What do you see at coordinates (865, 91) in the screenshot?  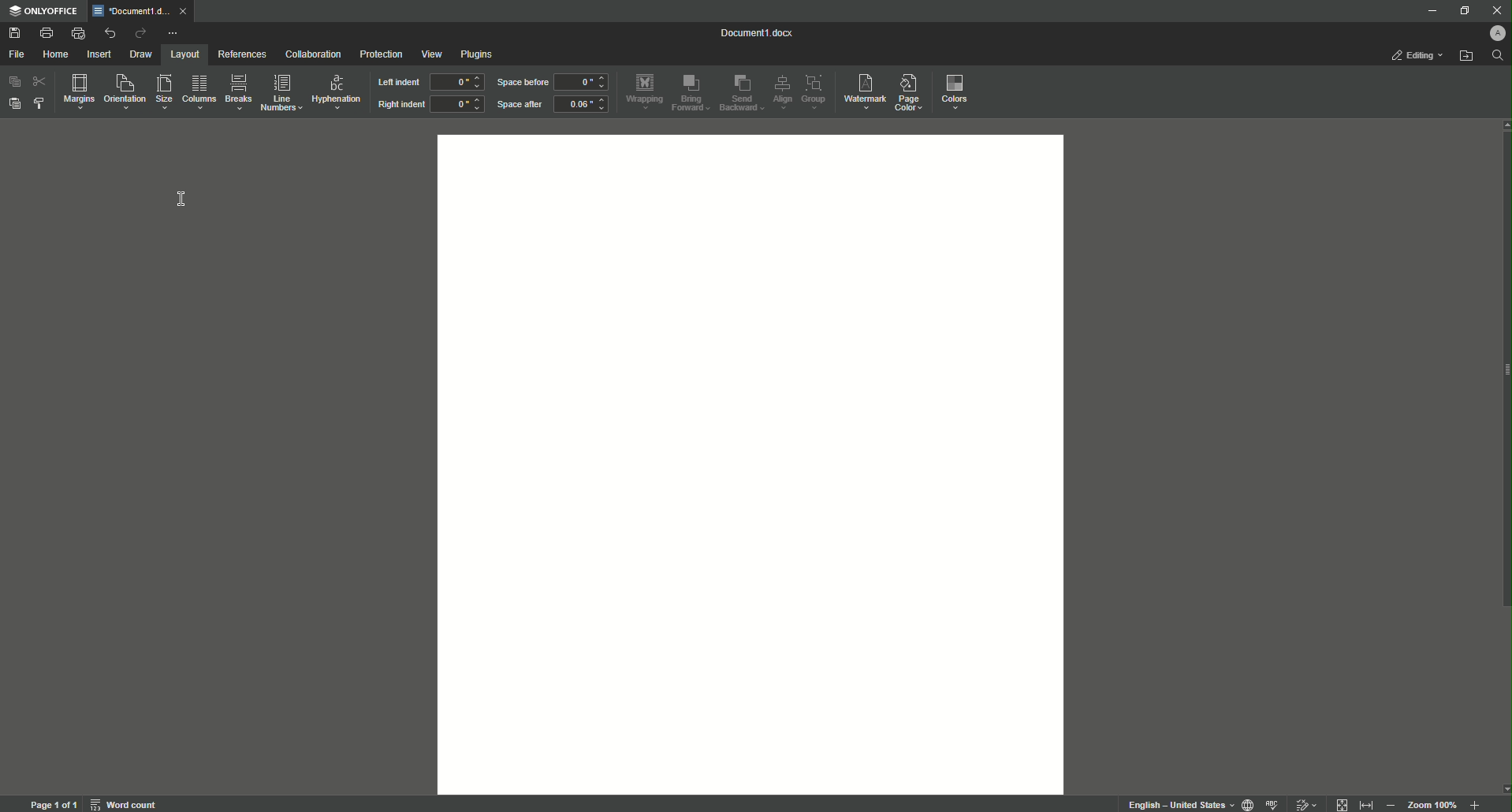 I see `Watermark` at bounding box center [865, 91].